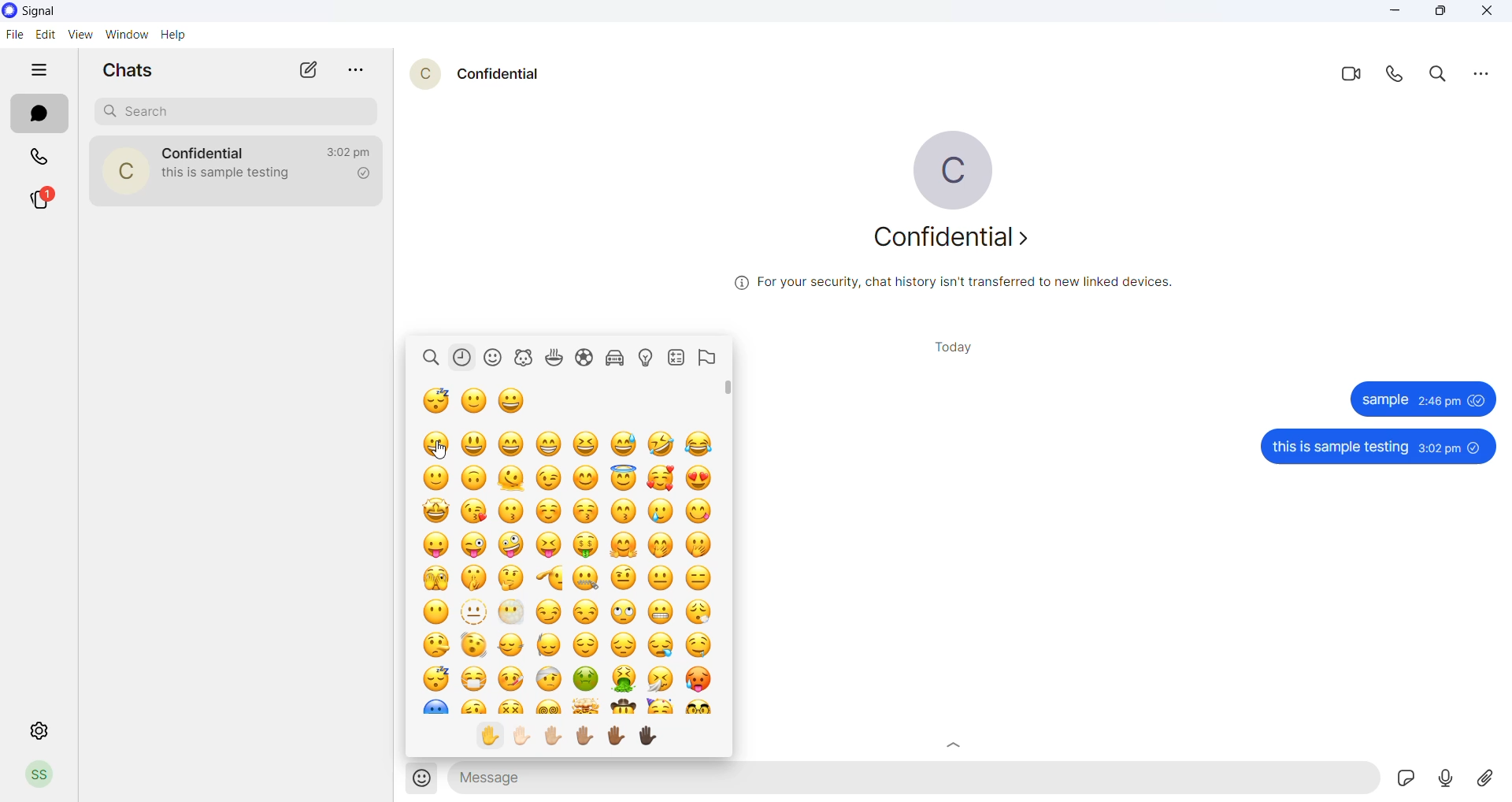  Describe the element at coordinates (960, 171) in the screenshot. I see `profile picture` at that location.